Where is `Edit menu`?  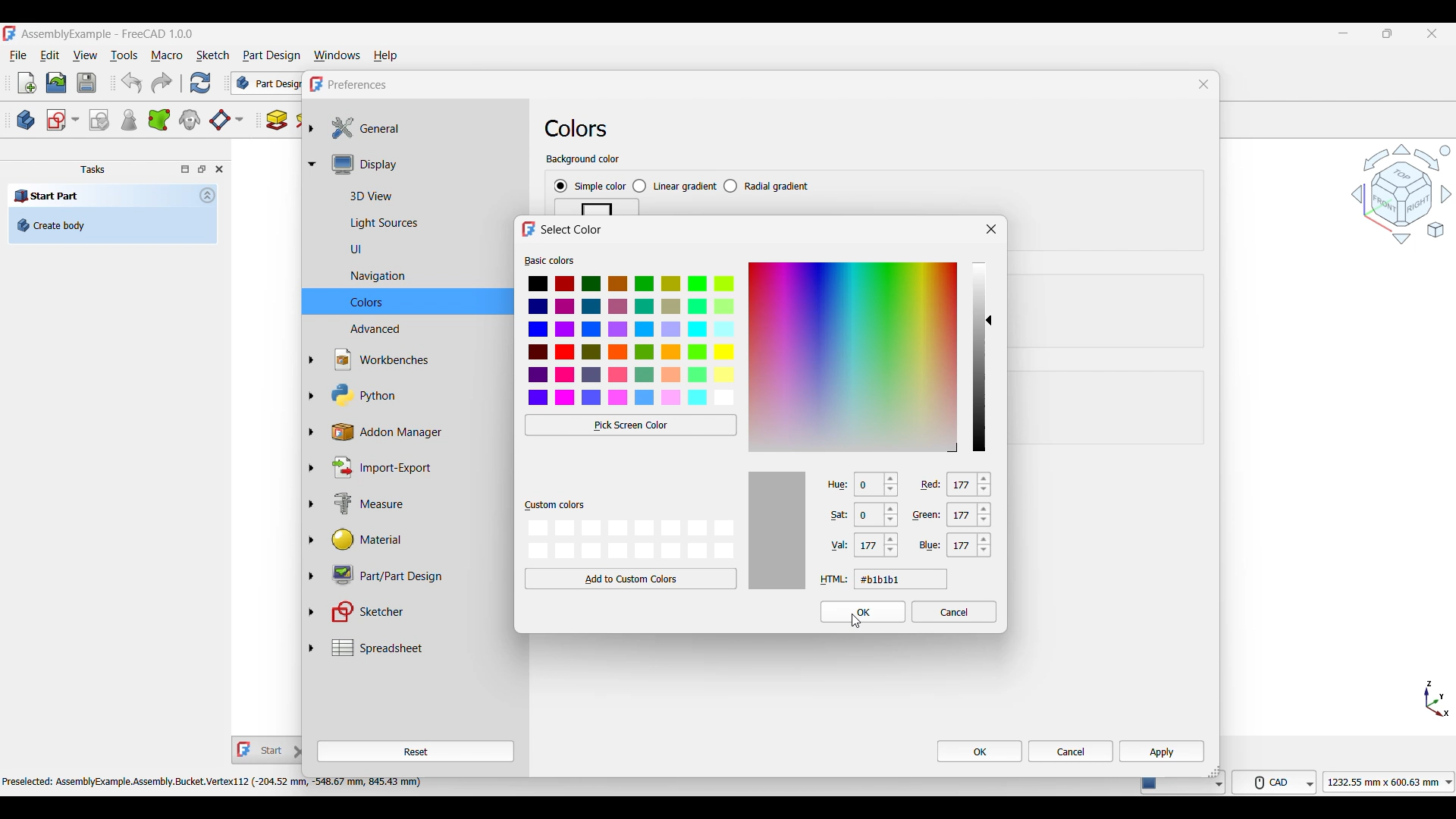
Edit menu is located at coordinates (49, 55).